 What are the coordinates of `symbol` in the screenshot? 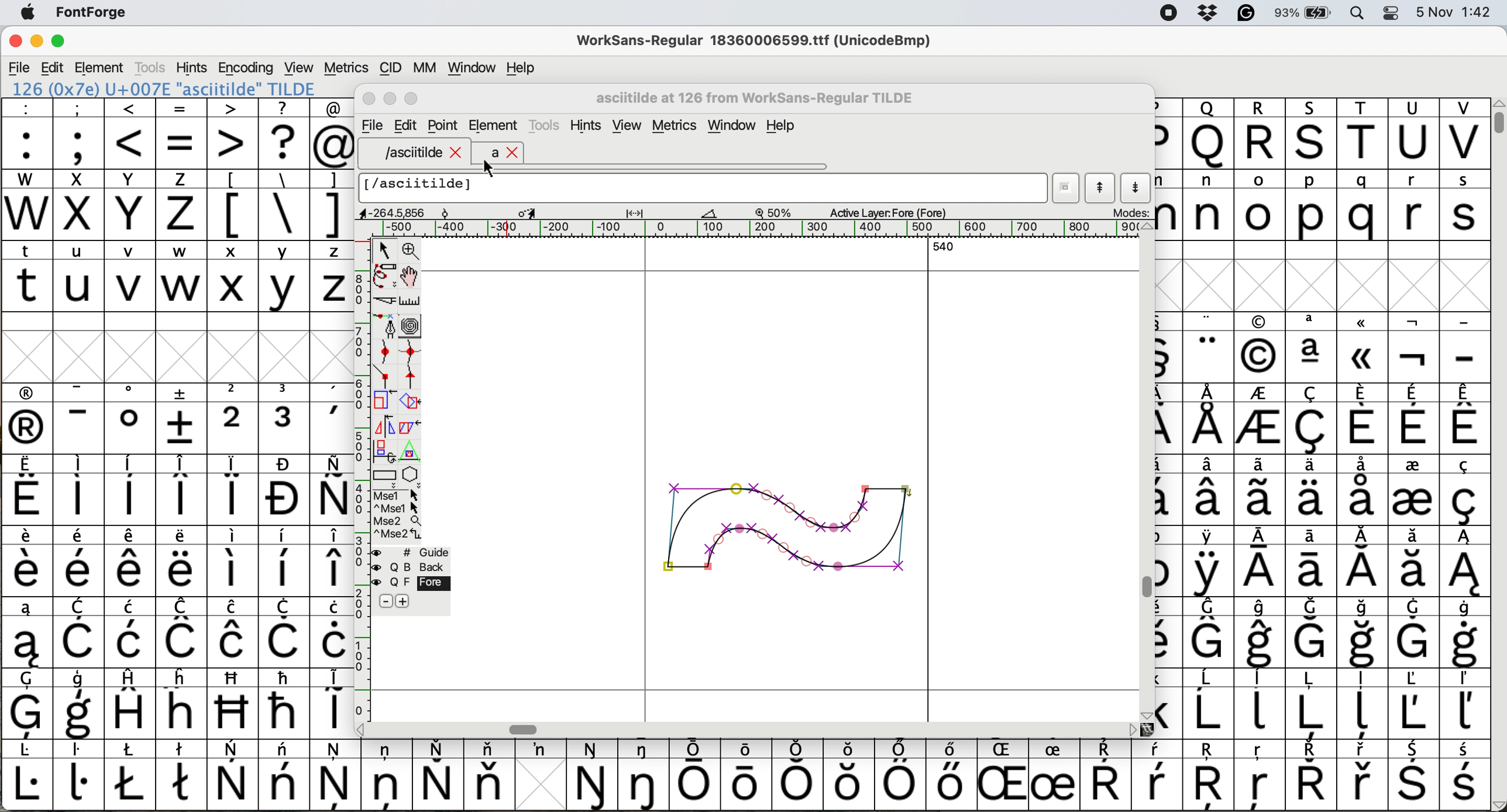 It's located at (285, 775).